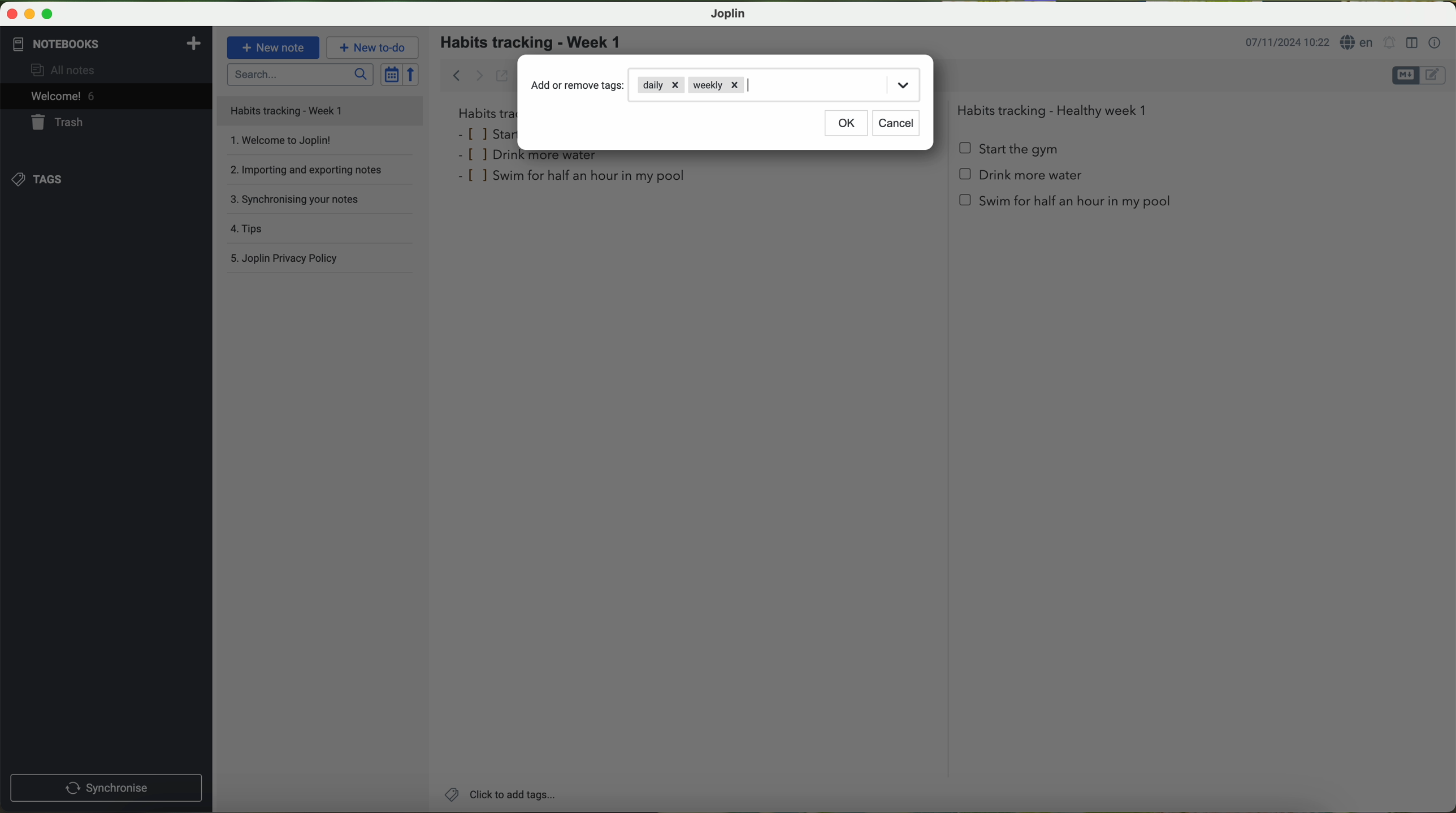  I want to click on new note button, so click(274, 47).